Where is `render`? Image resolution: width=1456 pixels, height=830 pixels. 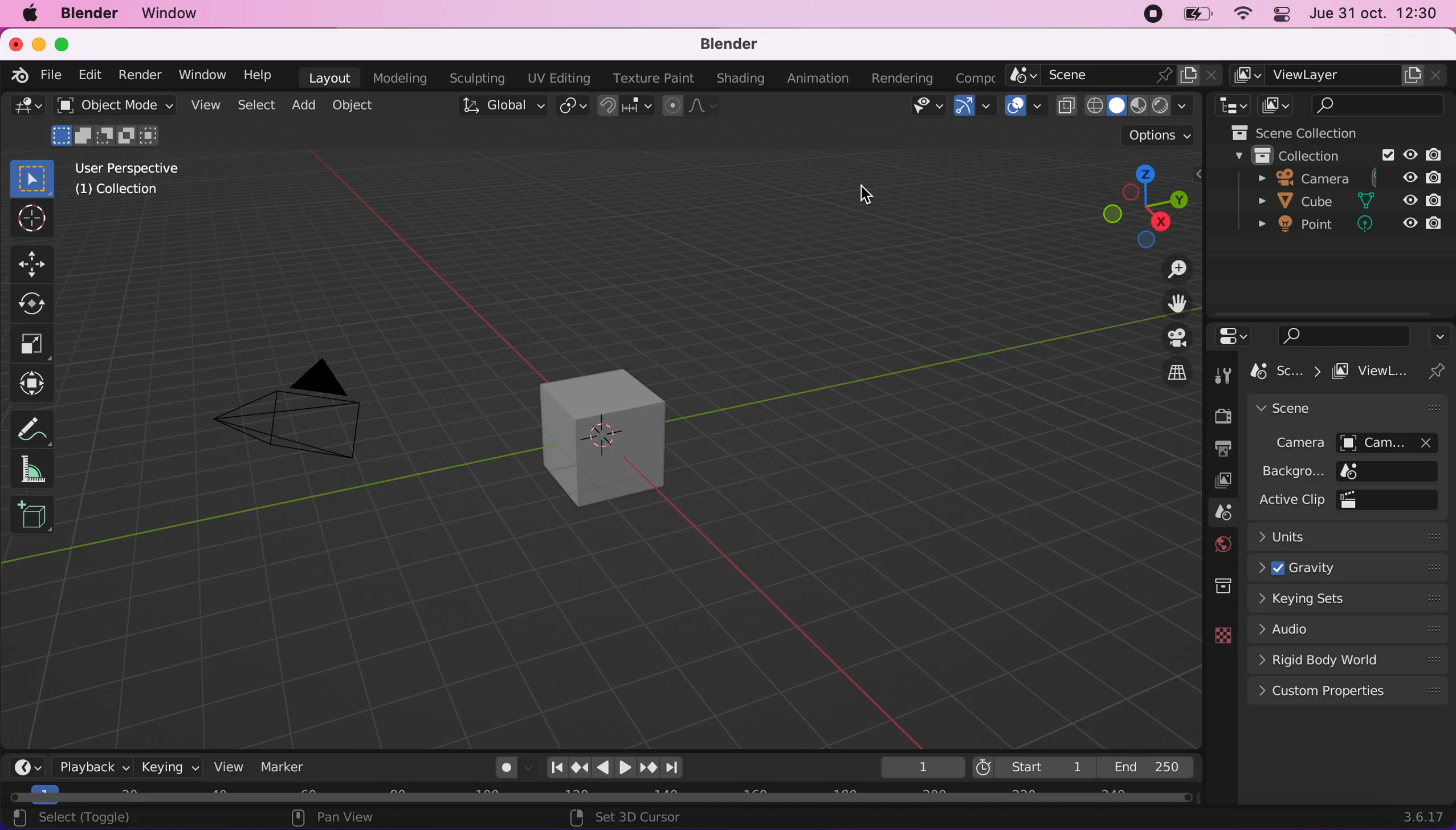 render is located at coordinates (141, 76).